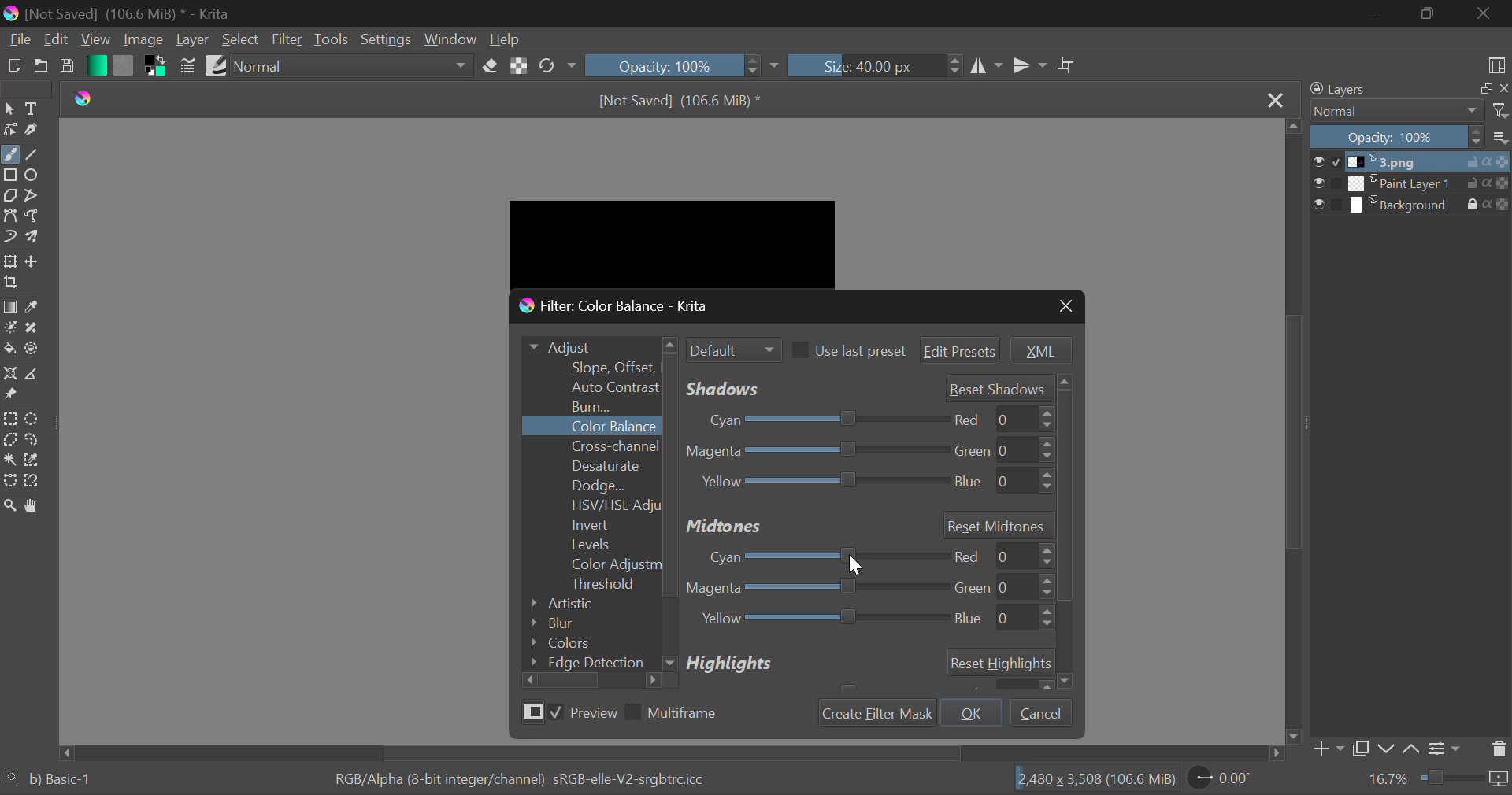 Image resolution: width=1512 pixels, height=795 pixels. What do you see at coordinates (9, 349) in the screenshot?
I see `Fill` at bounding box center [9, 349].